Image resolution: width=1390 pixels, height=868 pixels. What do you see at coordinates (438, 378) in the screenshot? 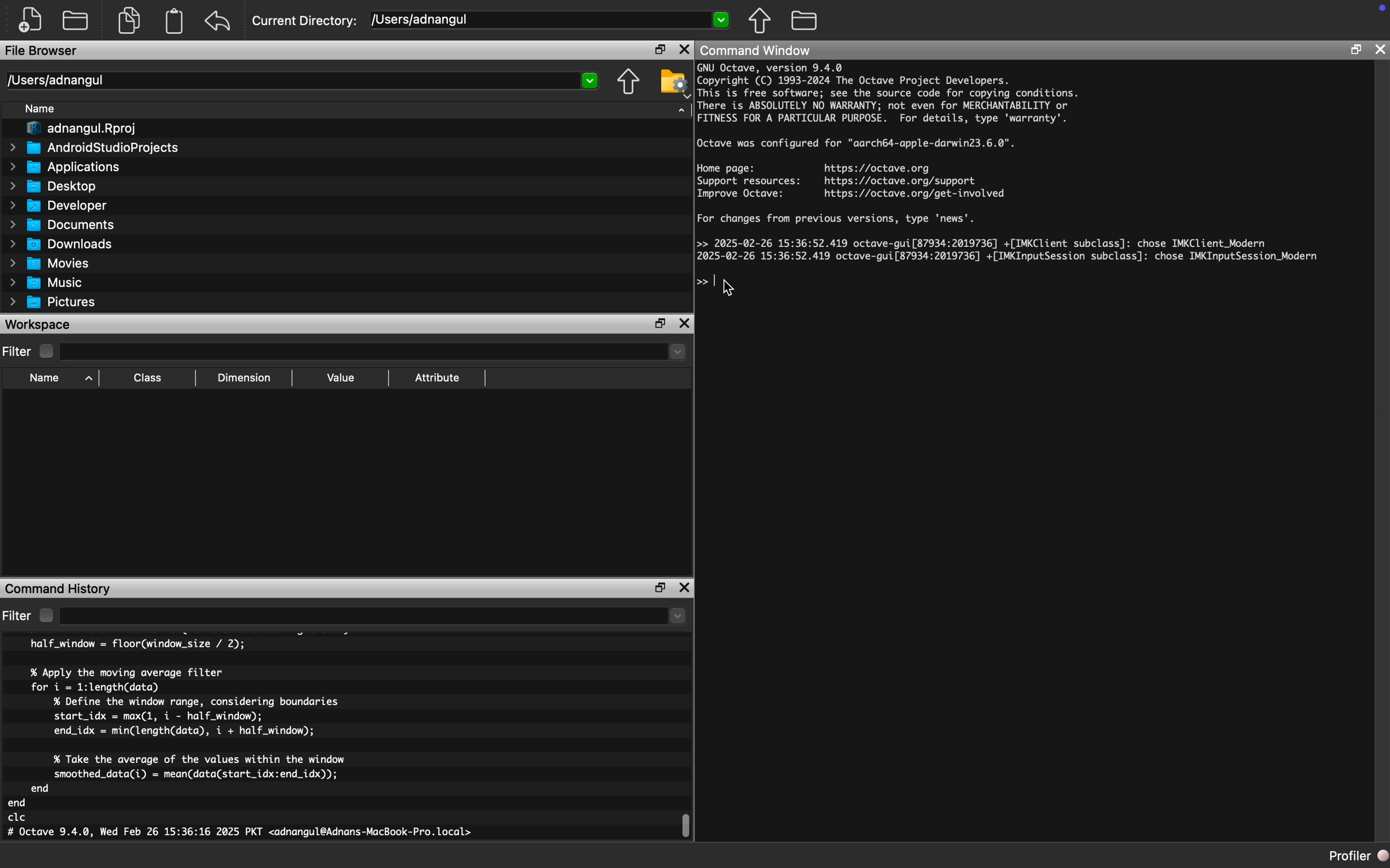
I see `Attribute` at bounding box center [438, 378].